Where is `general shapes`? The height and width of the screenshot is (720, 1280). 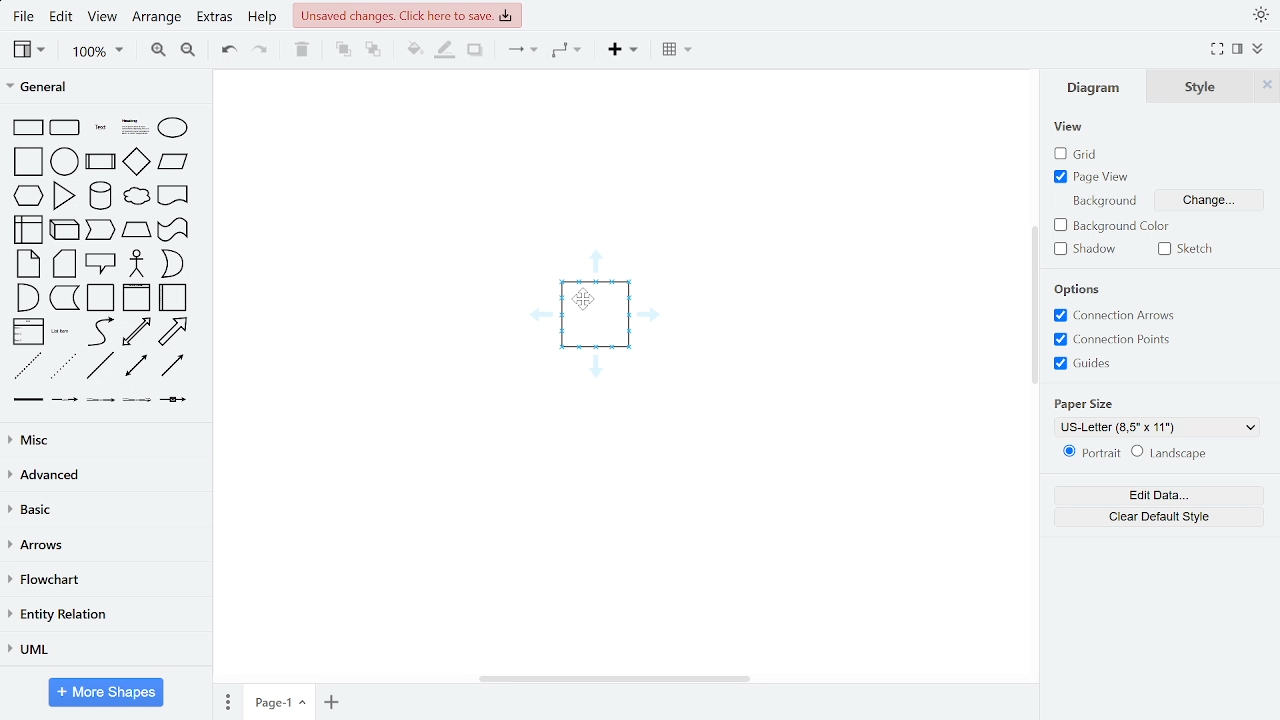 general shapes is located at coordinates (63, 159).